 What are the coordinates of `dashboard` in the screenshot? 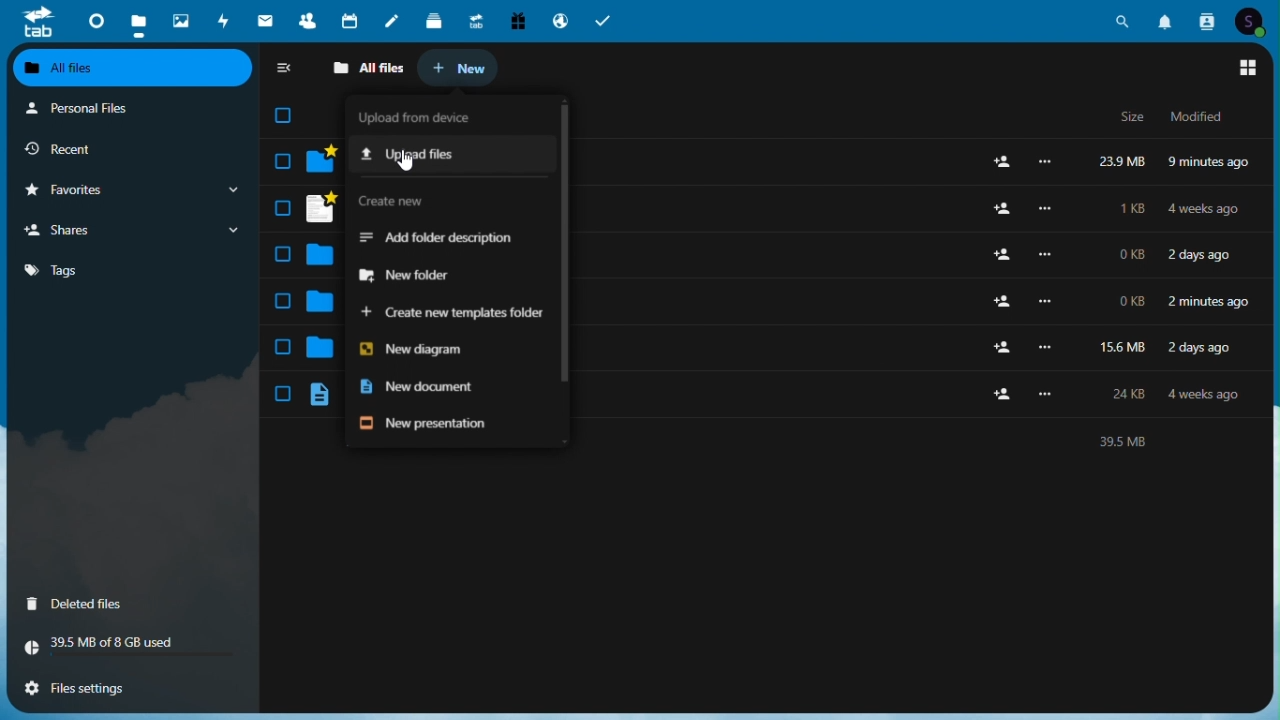 It's located at (95, 19).